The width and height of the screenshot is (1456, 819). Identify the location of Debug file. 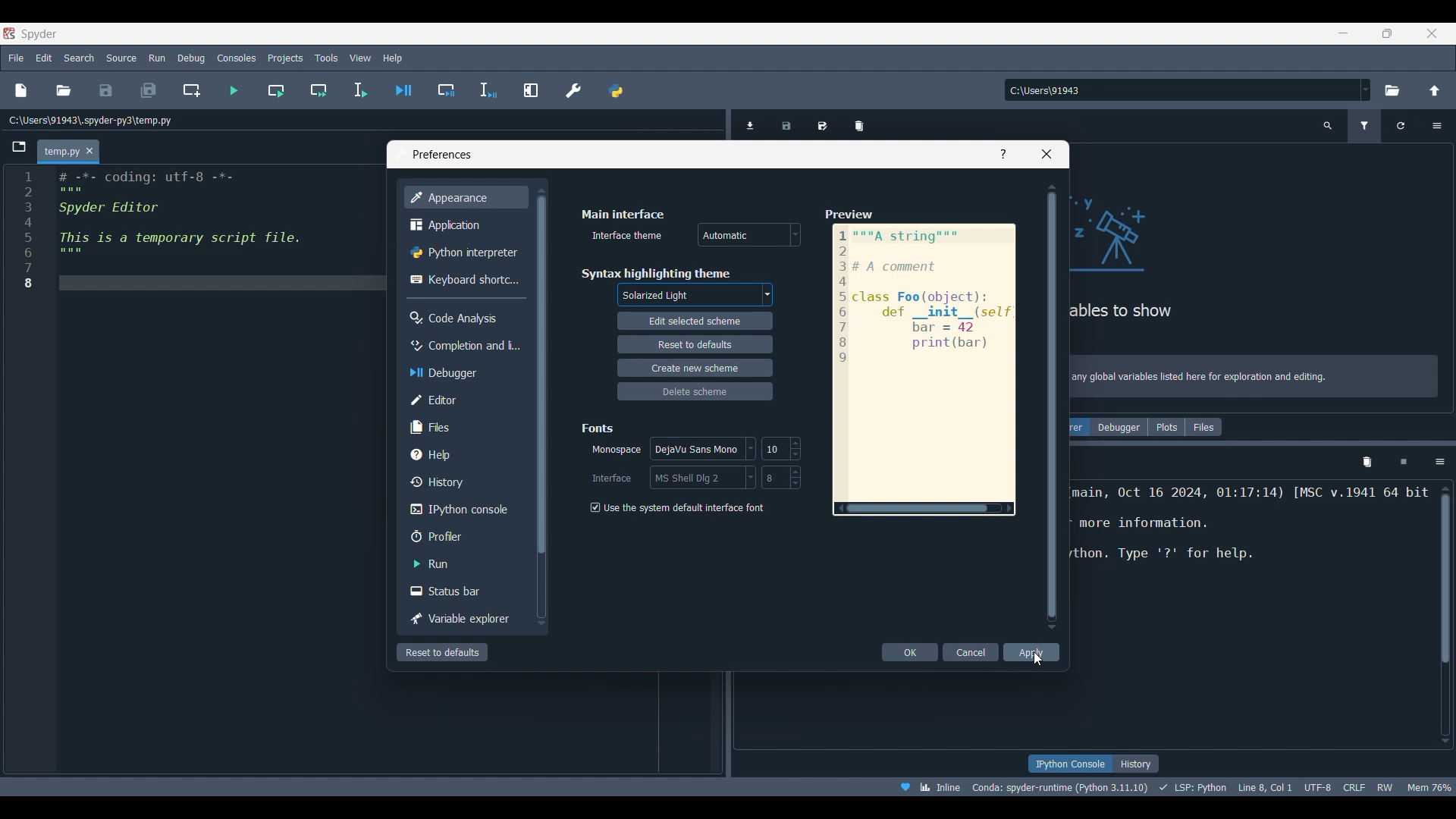
(403, 89).